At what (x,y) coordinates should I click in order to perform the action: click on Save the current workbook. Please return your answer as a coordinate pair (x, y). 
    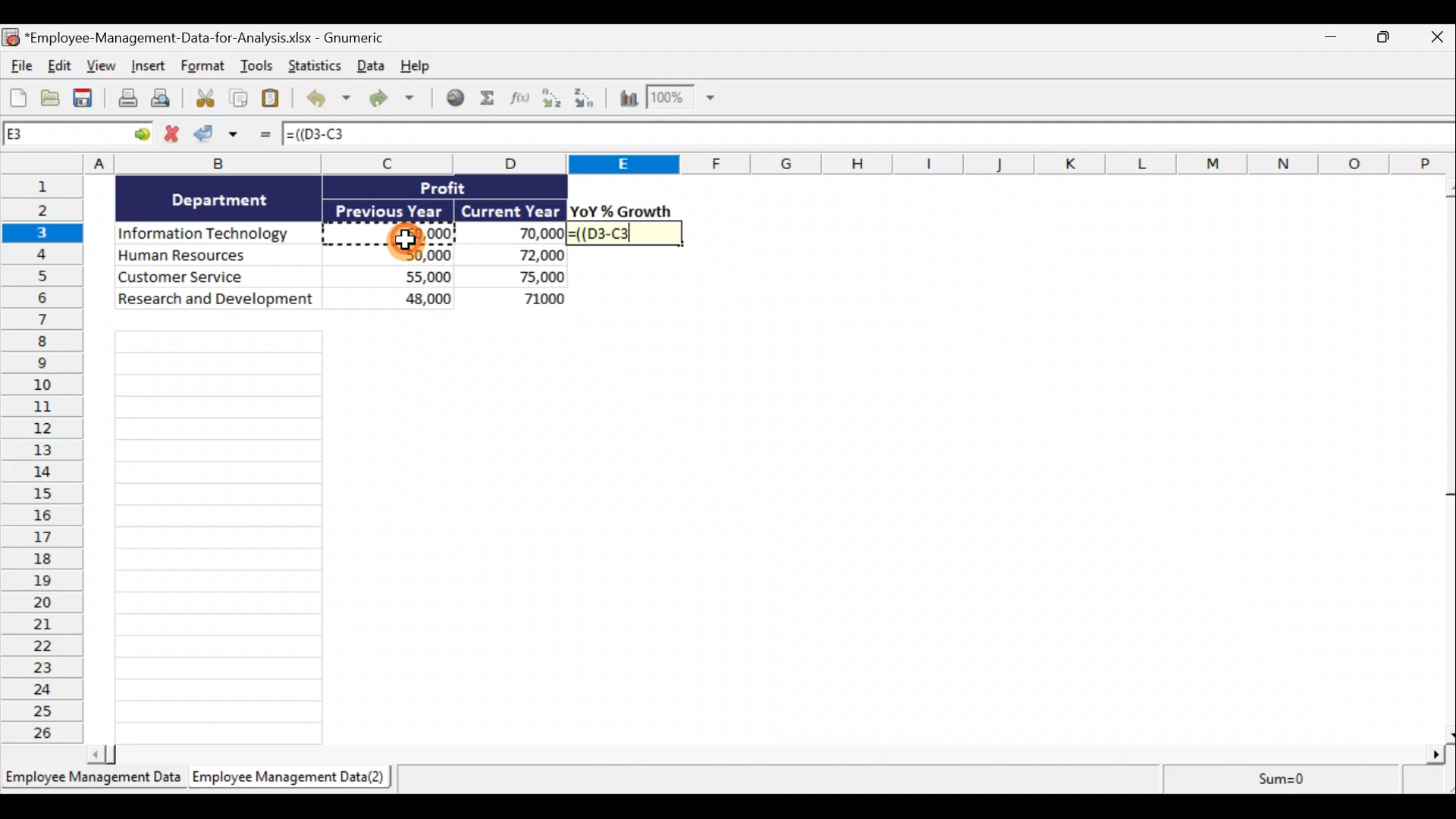
    Looking at the image, I should click on (86, 99).